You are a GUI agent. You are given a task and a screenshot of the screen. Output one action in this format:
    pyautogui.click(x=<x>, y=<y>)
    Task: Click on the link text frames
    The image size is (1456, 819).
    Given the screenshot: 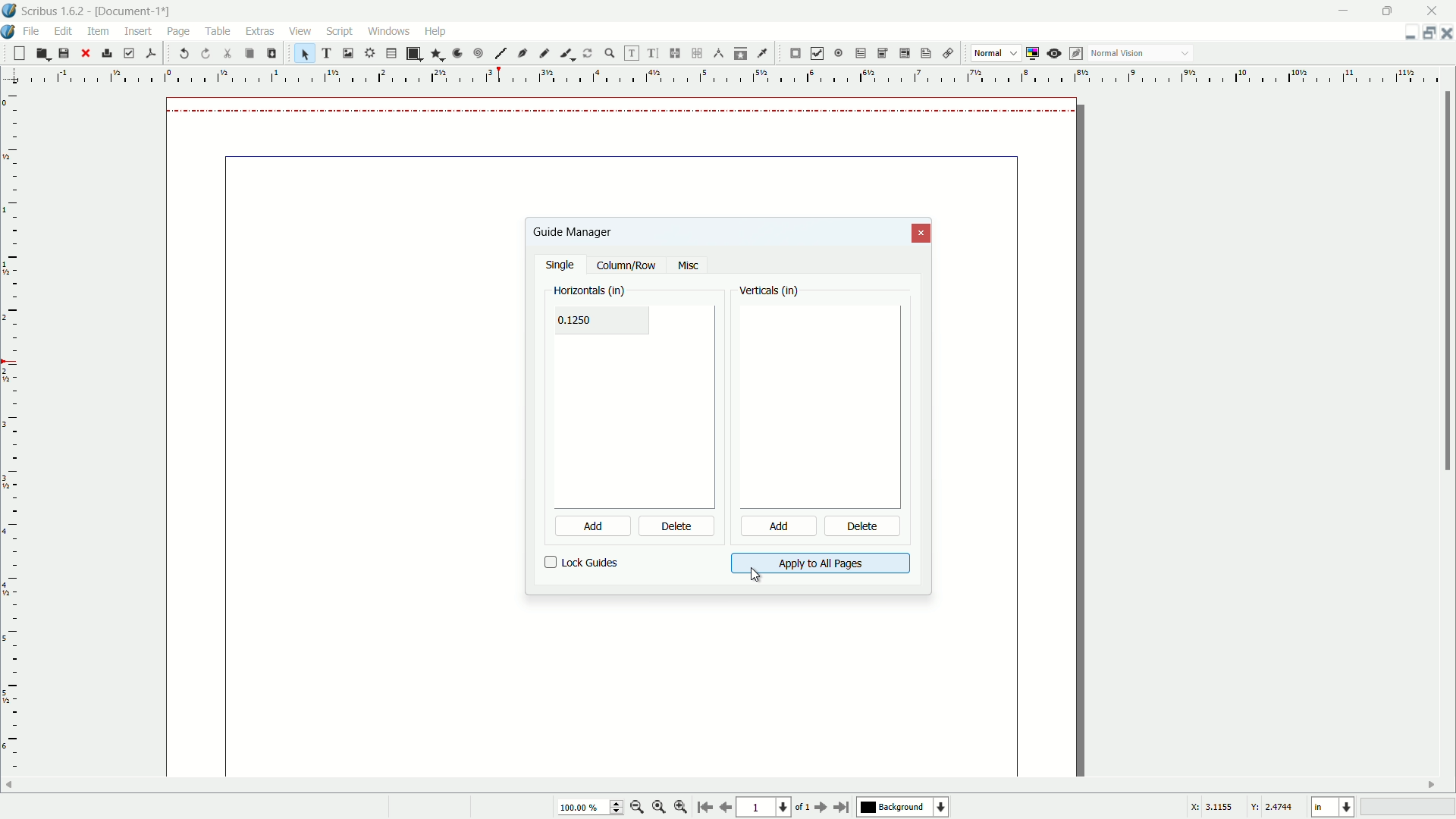 What is the action you would take?
    pyautogui.click(x=676, y=53)
    